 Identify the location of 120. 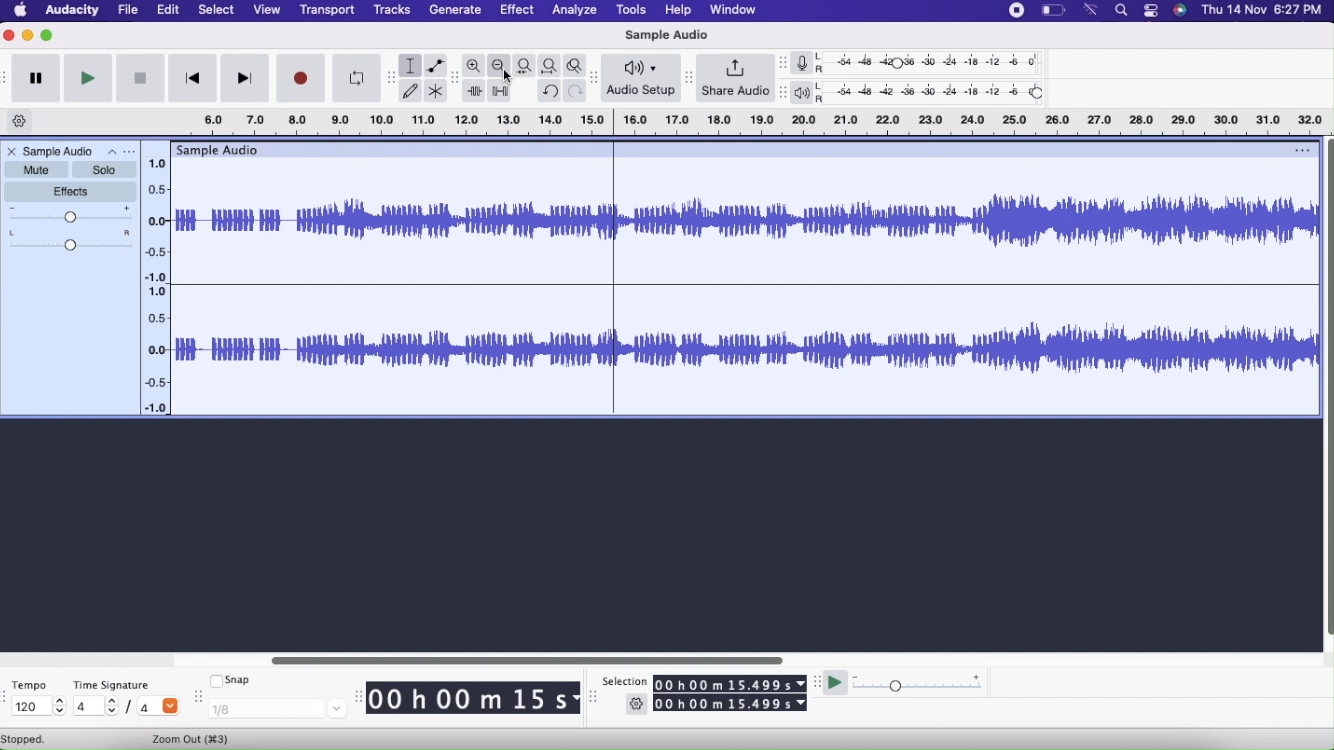
(37, 710).